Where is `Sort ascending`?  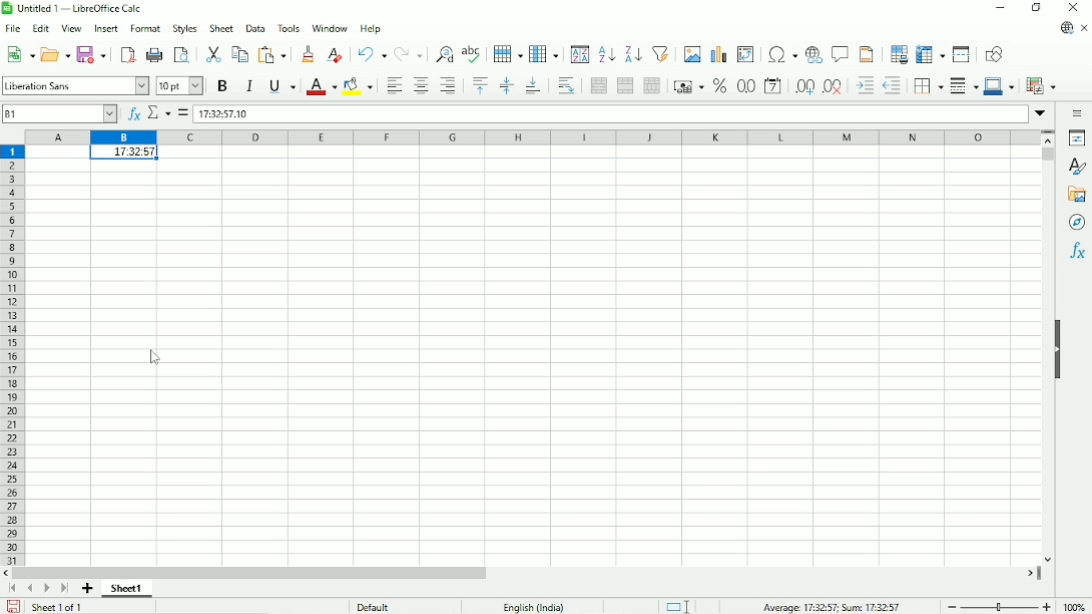 Sort ascending is located at coordinates (606, 54).